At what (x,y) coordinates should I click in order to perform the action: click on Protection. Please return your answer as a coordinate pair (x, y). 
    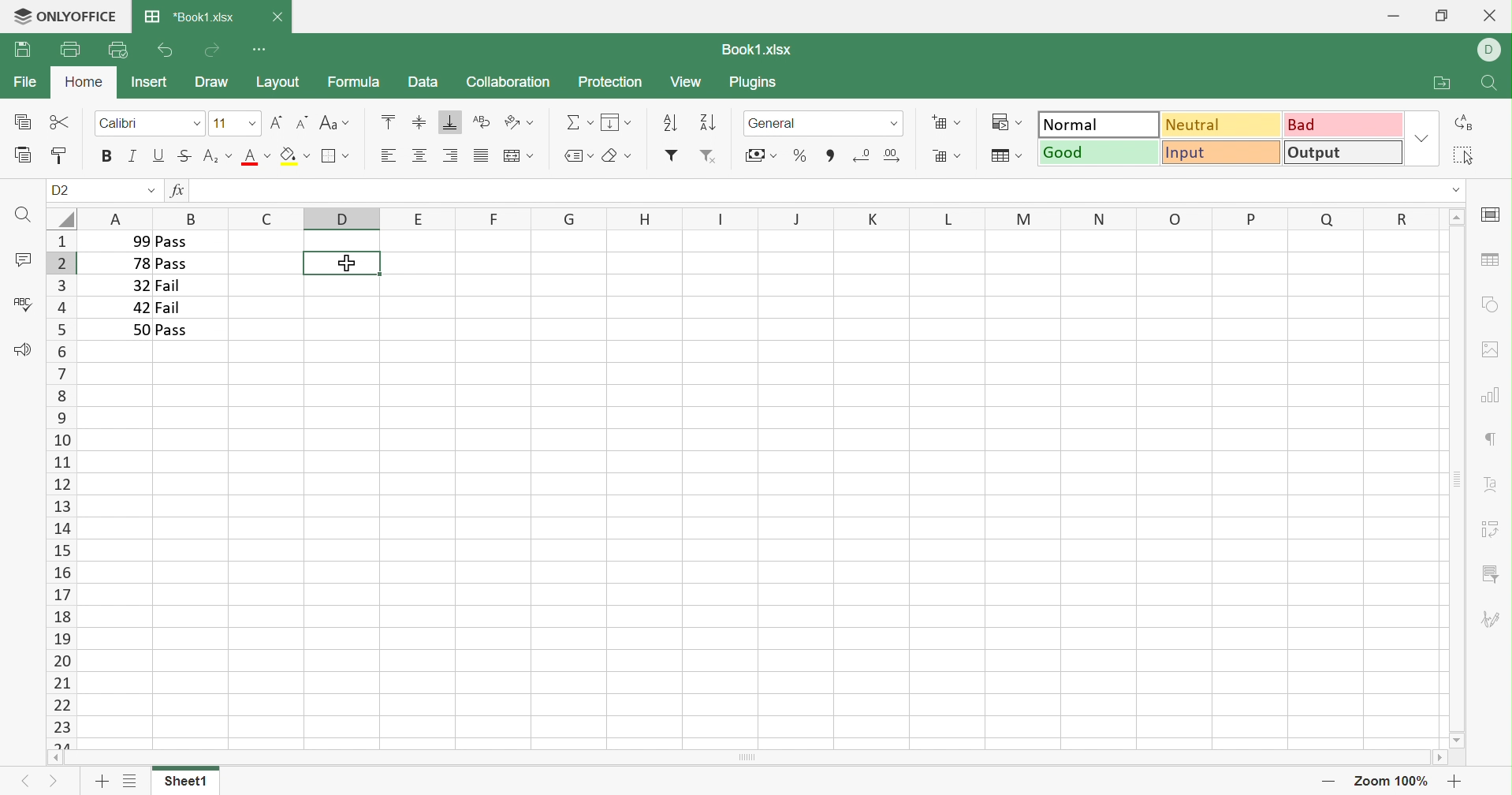
    Looking at the image, I should click on (609, 81).